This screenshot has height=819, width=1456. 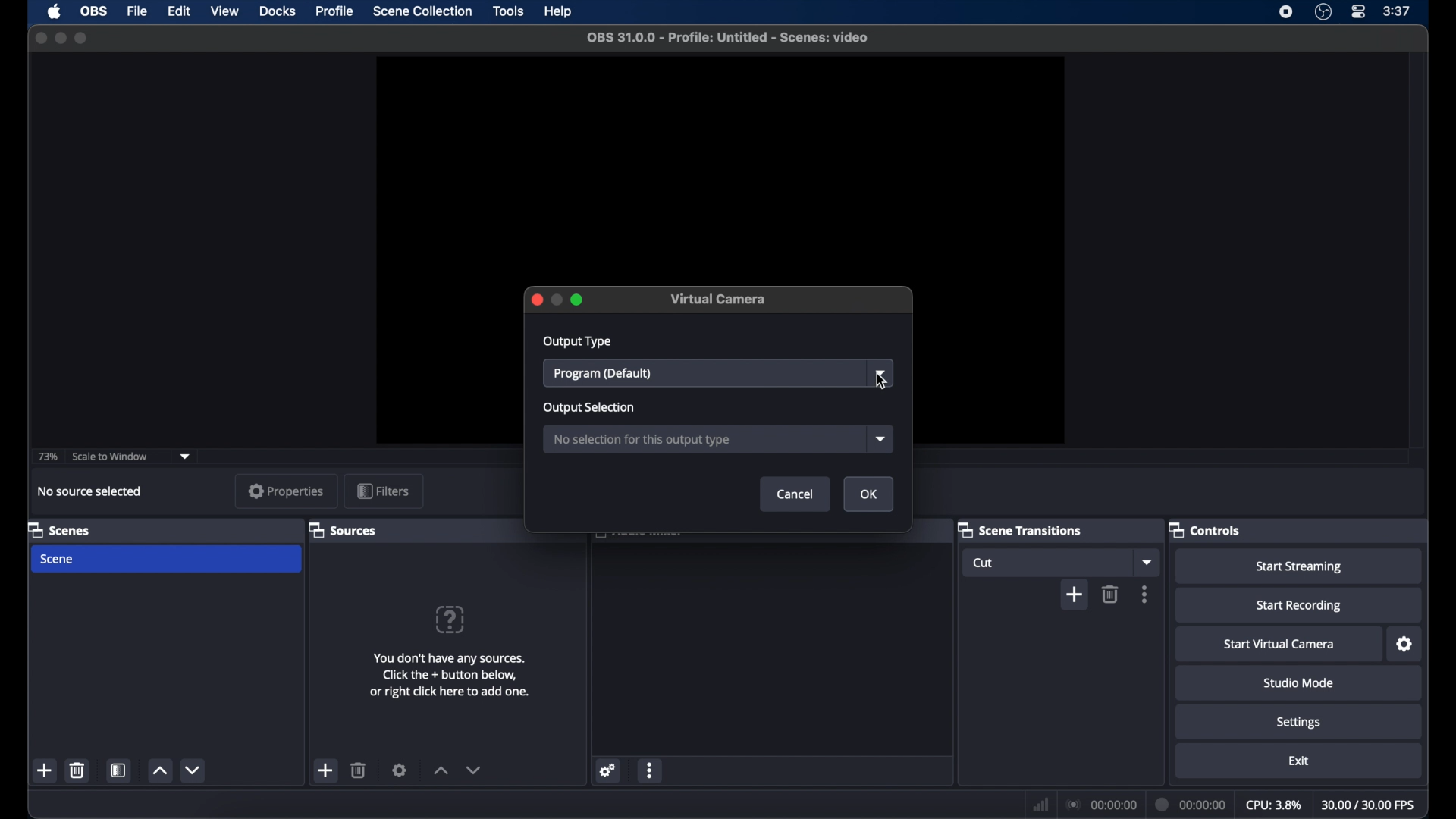 What do you see at coordinates (608, 770) in the screenshot?
I see `settings` at bounding box center [608, 770].